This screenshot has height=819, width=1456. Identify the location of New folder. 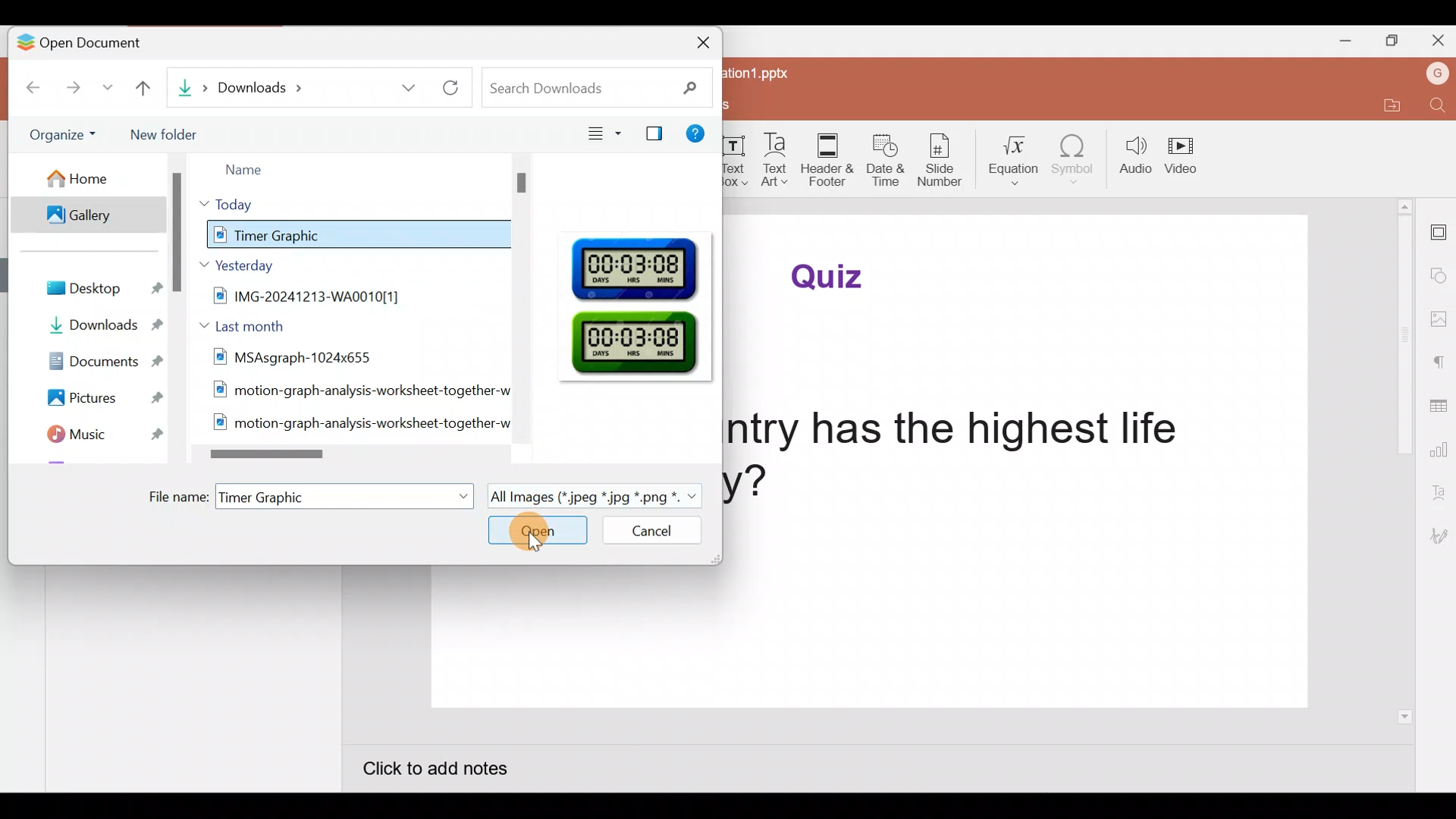
(168, 134).